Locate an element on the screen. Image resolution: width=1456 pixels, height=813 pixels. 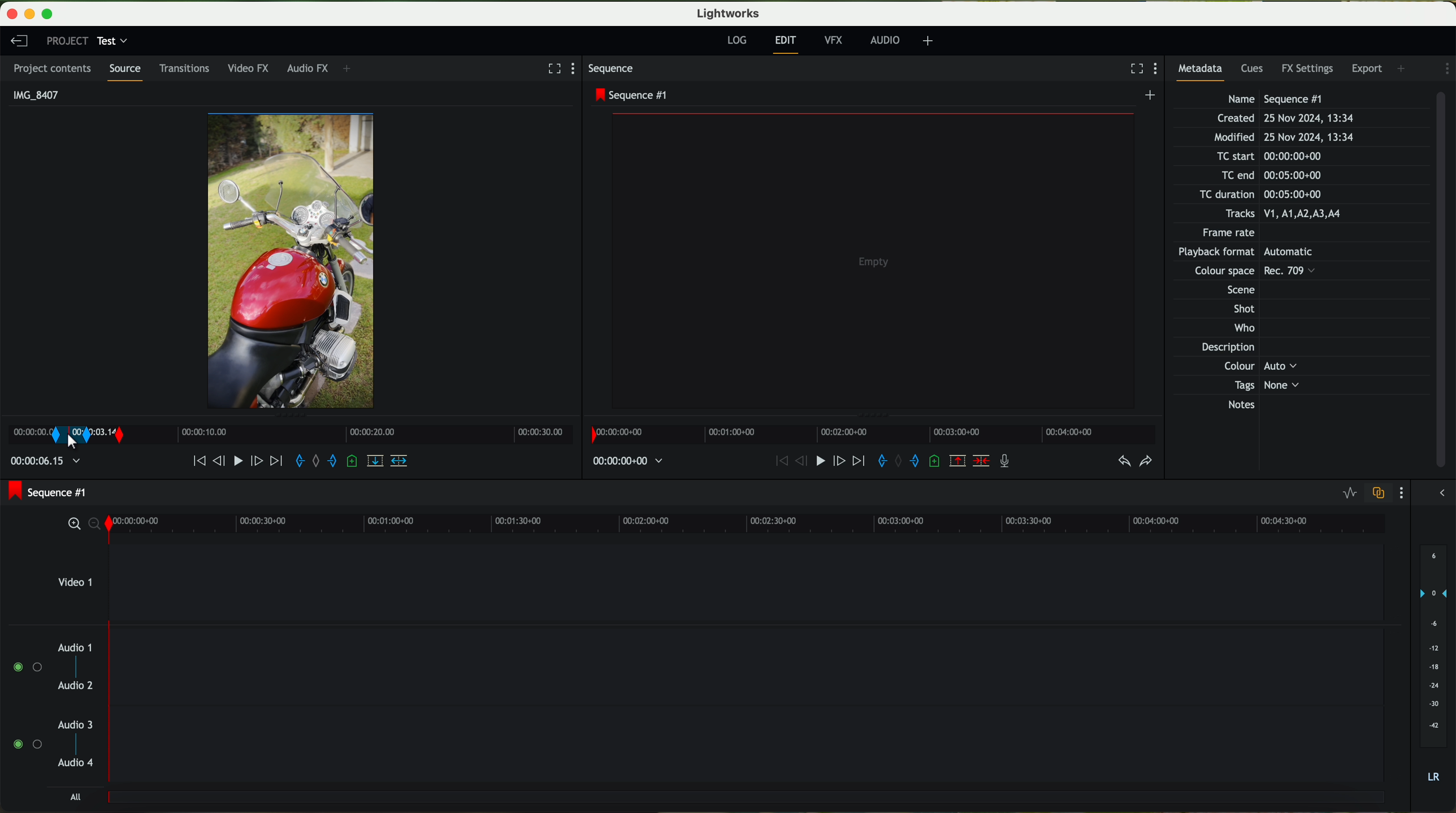
redo is located at coordinates (1146, 462).